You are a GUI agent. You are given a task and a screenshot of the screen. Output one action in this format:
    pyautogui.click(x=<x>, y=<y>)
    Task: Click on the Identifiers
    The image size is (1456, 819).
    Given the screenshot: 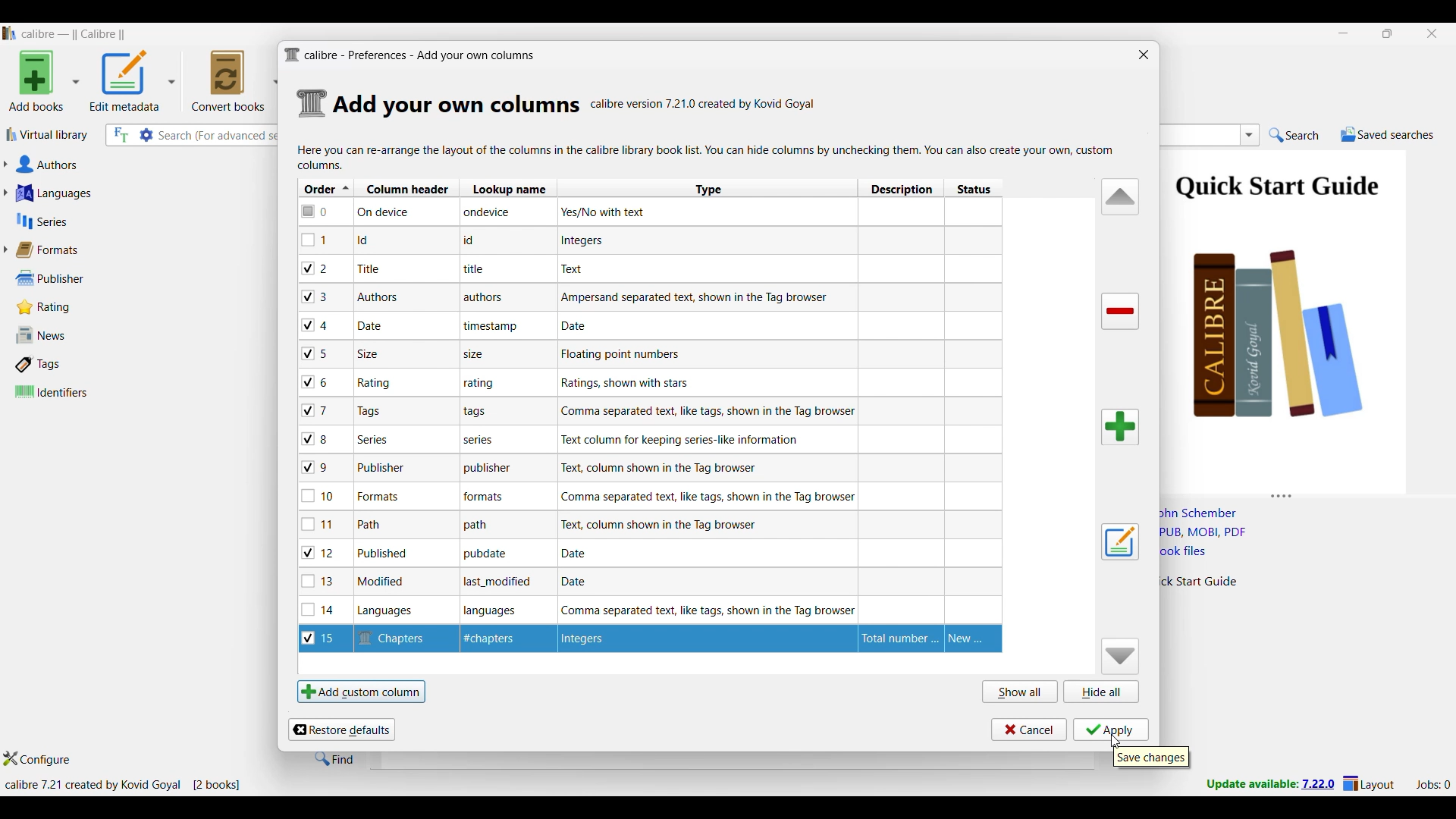 What is the action you would take?
    pyautogui.click(x=74, y=391)
    